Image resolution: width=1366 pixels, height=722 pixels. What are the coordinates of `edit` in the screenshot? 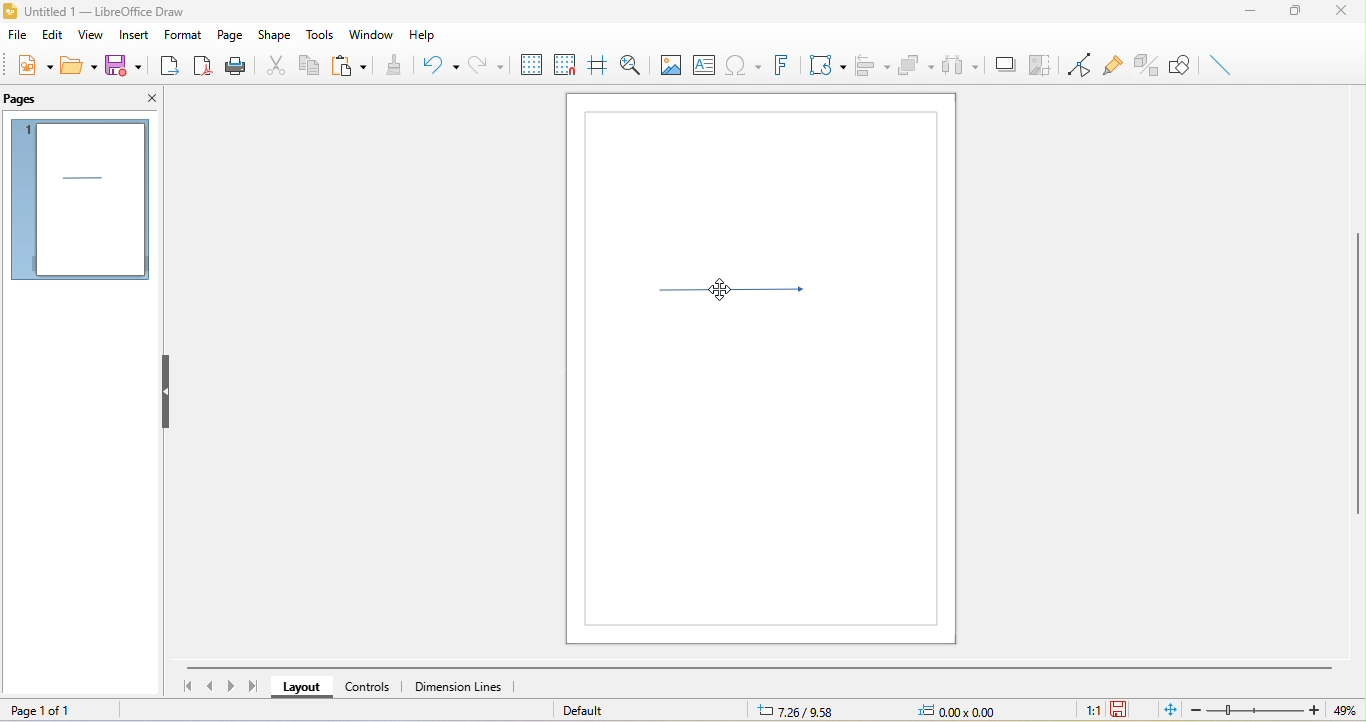 It's located at (53, 35).